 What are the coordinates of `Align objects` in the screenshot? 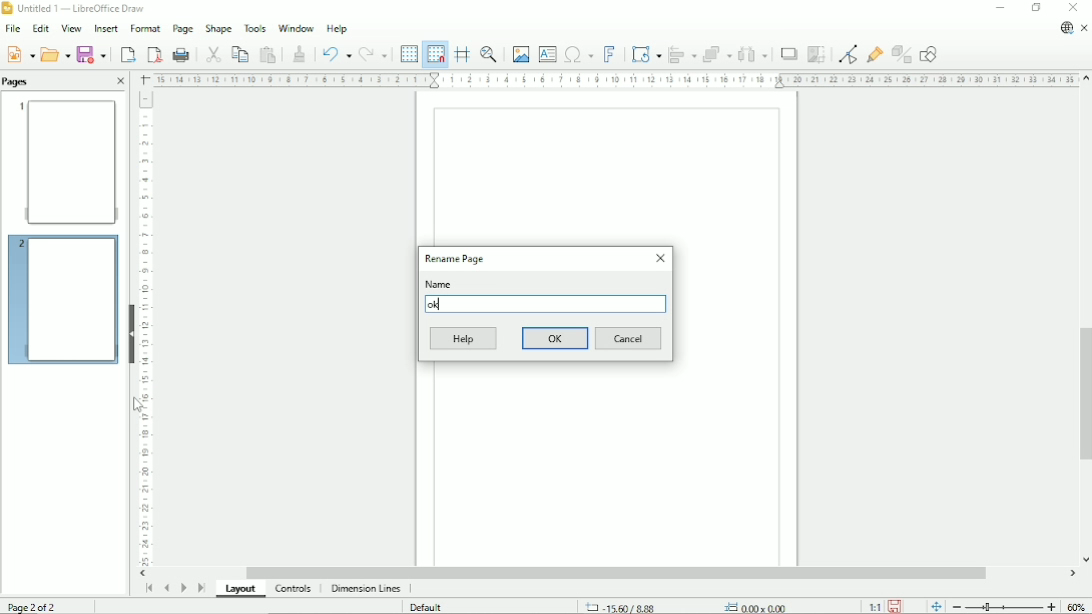 It's located at (683, 54).